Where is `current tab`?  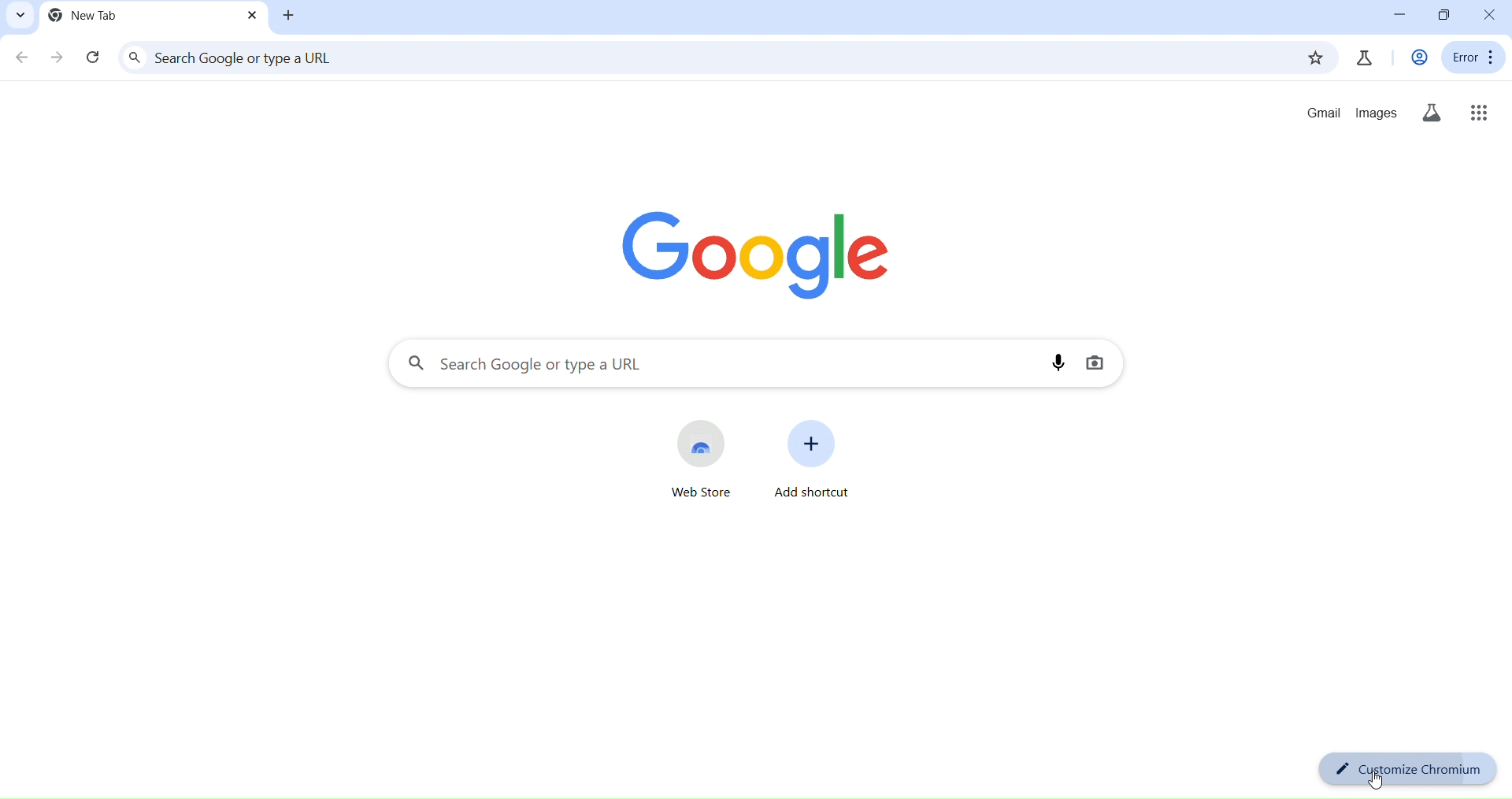
current tab is located at coordinates (88, 14).